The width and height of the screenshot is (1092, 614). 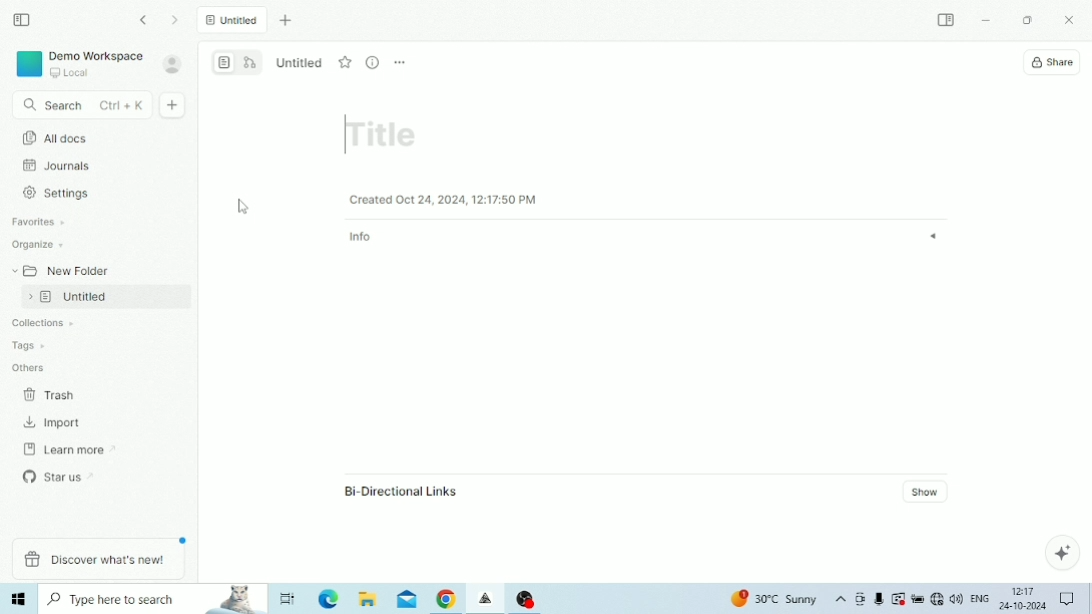 What do you see at coordinates (29, 366) in the screenshot?
I see `Others` at bounding box center [29, 366].